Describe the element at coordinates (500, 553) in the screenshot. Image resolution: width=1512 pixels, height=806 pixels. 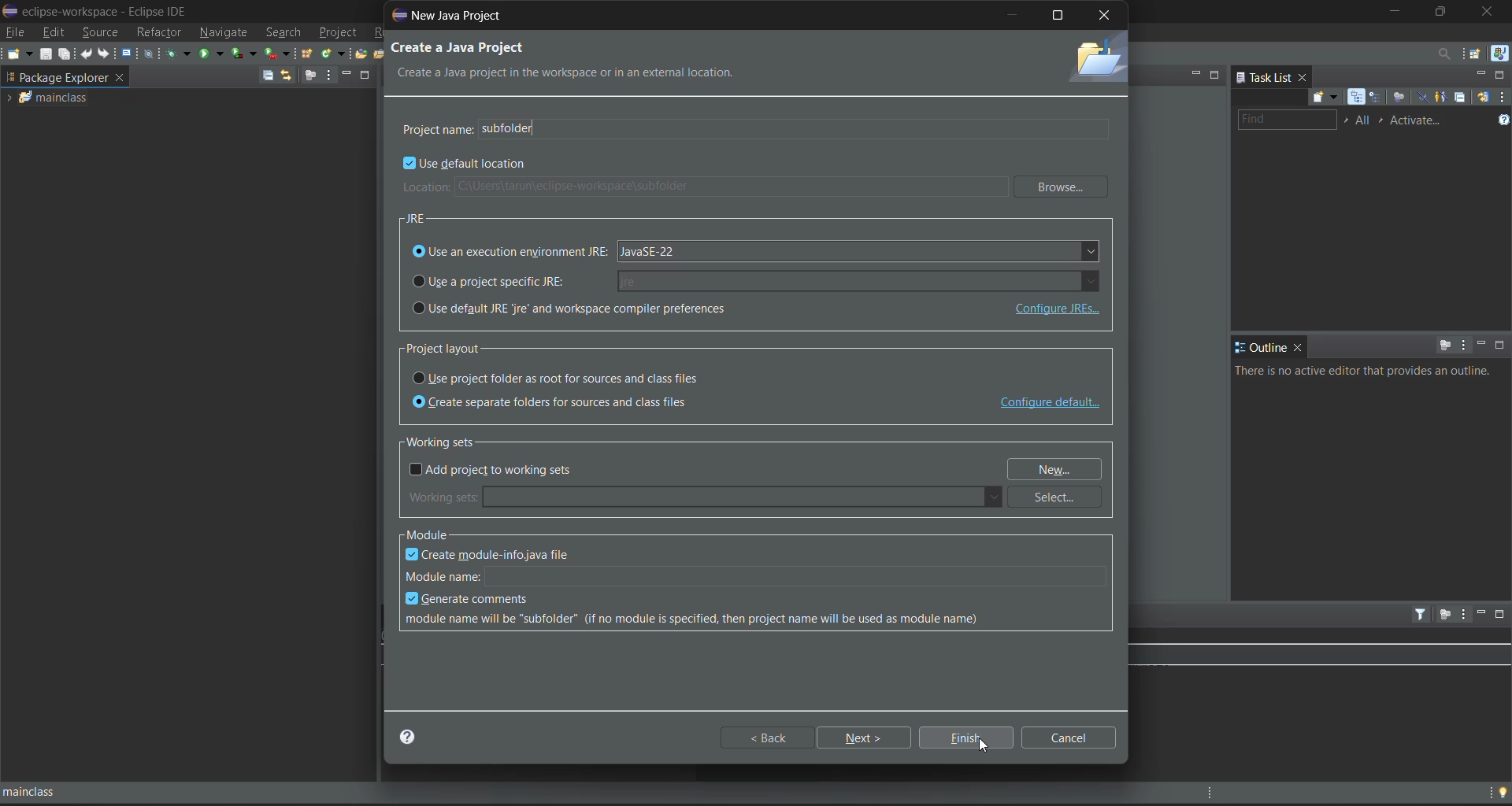
I see `create module info` at that location.